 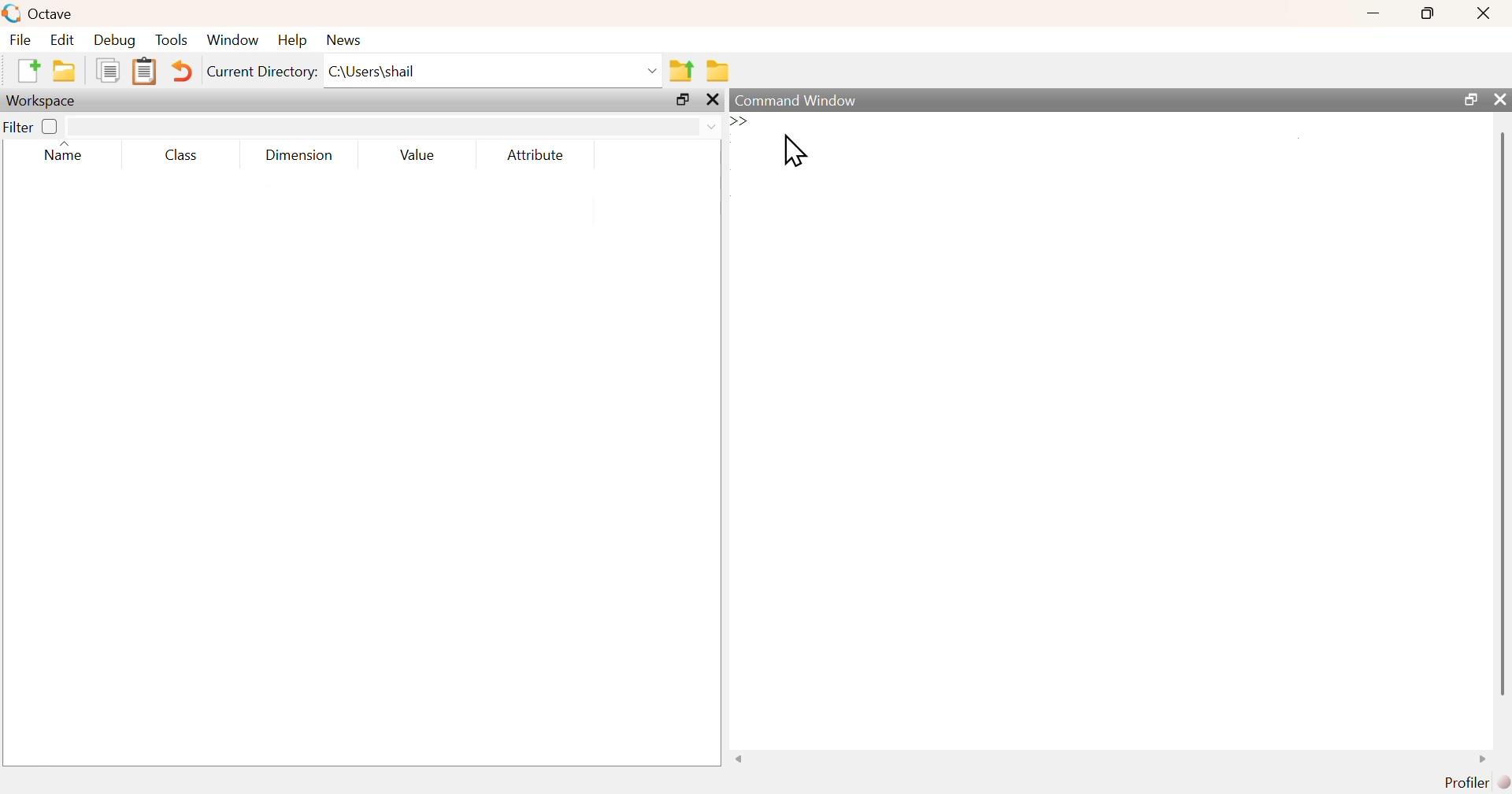 I want to click on close, so click(x=713, y=101).